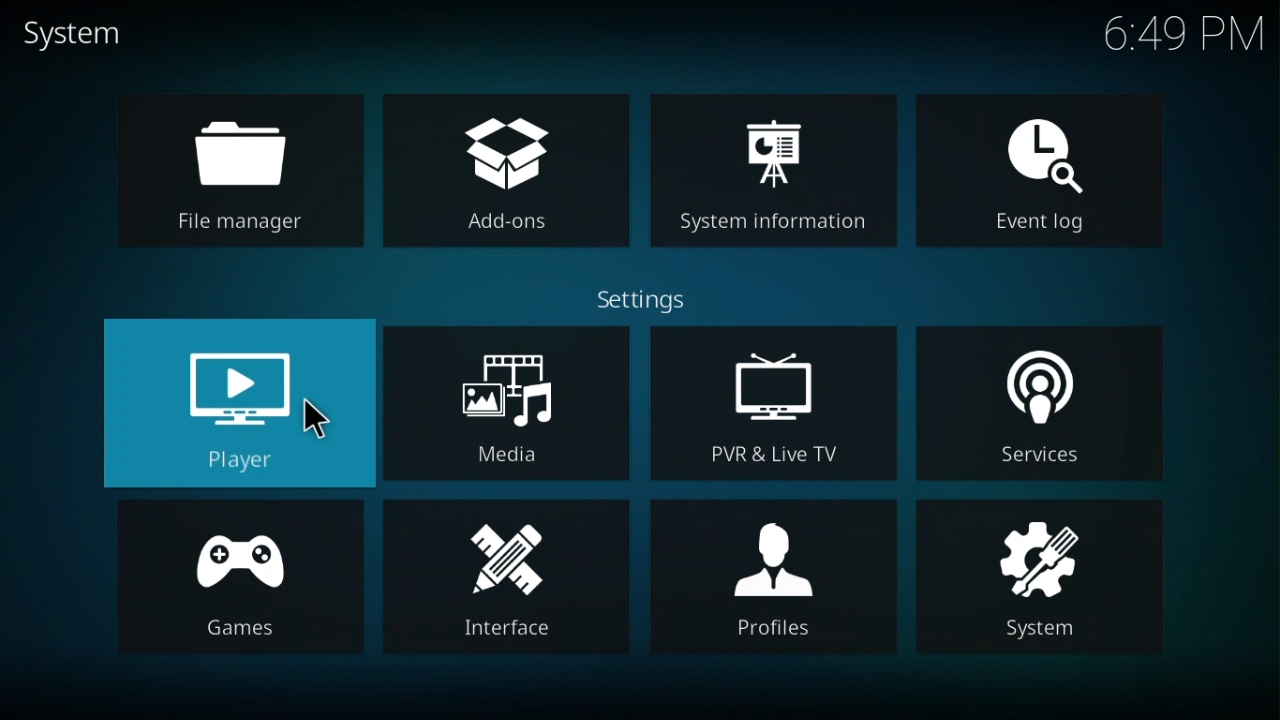 The width and height of the screenshot is (1280, 720). What do you see at coordinates (511, 169) in the screenshot?
I see `Add-ons` at bounding box center [511, 169].